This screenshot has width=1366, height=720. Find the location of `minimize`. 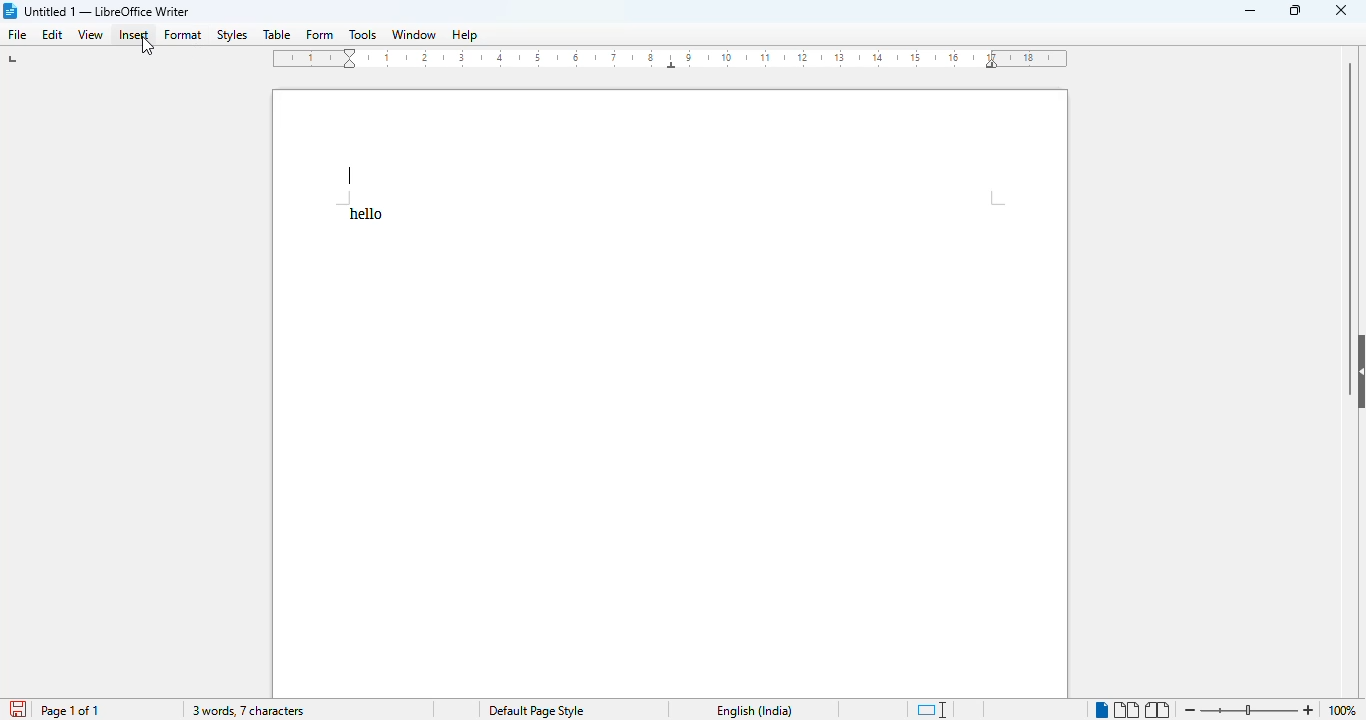

minimize is located at coordinates (1249, 11).